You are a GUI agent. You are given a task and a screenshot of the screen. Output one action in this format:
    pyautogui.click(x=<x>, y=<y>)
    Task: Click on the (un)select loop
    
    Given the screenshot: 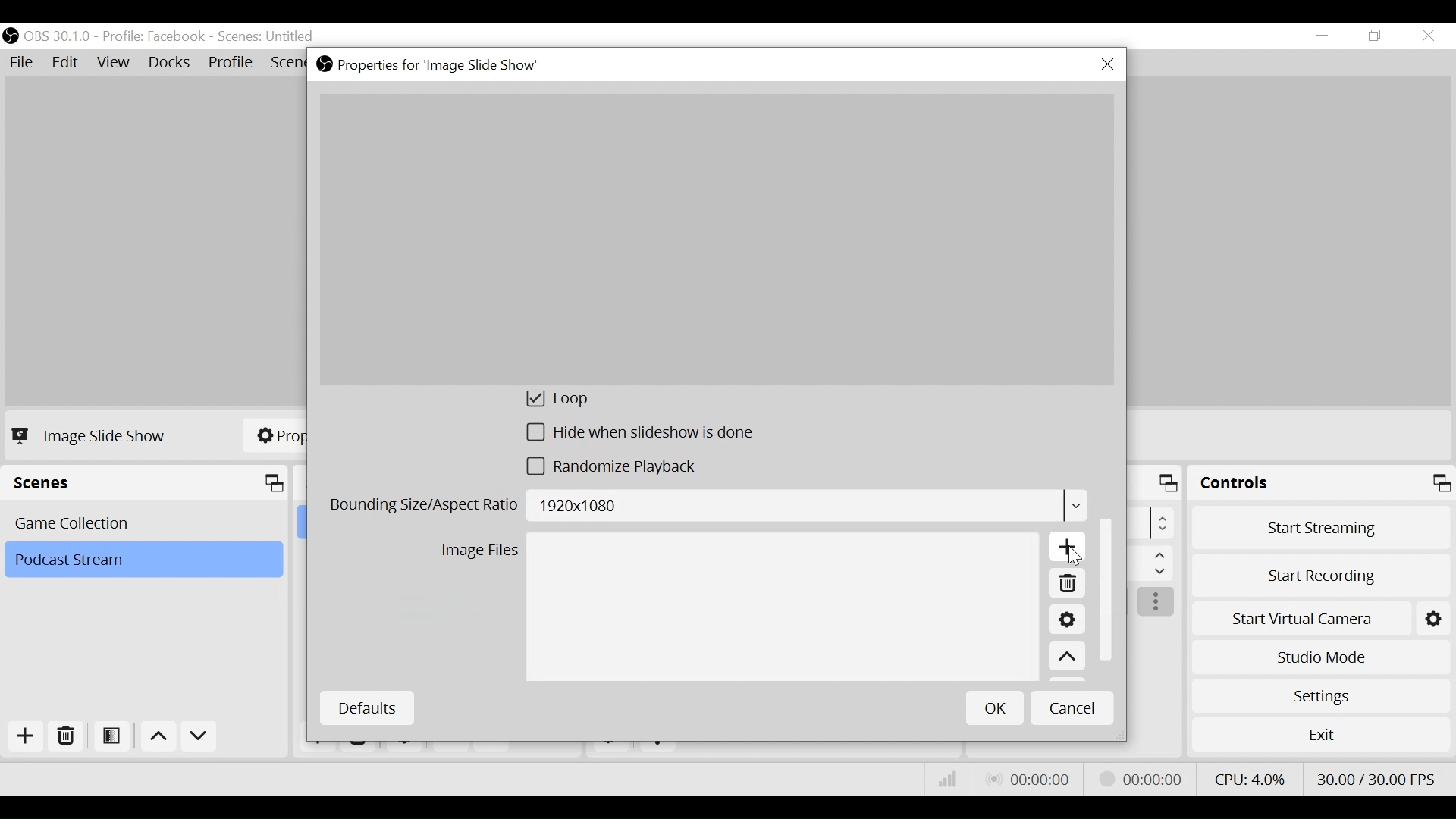 What is the action you would take?
    pyautogui.click(x=577, y=401)
    